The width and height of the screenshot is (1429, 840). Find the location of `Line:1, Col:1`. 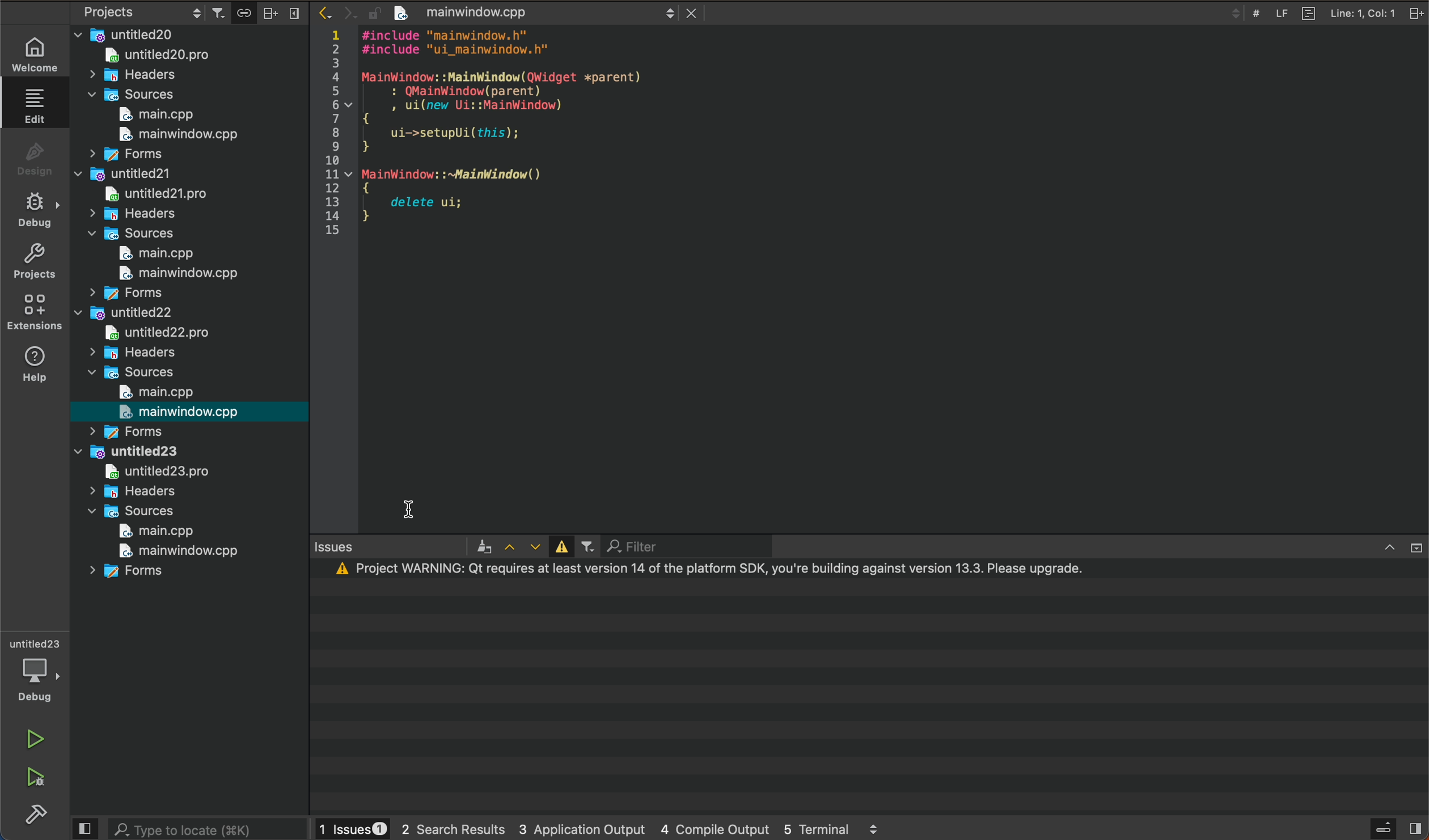

Line:1, Col:1 is located at coordinates (1362, 14).